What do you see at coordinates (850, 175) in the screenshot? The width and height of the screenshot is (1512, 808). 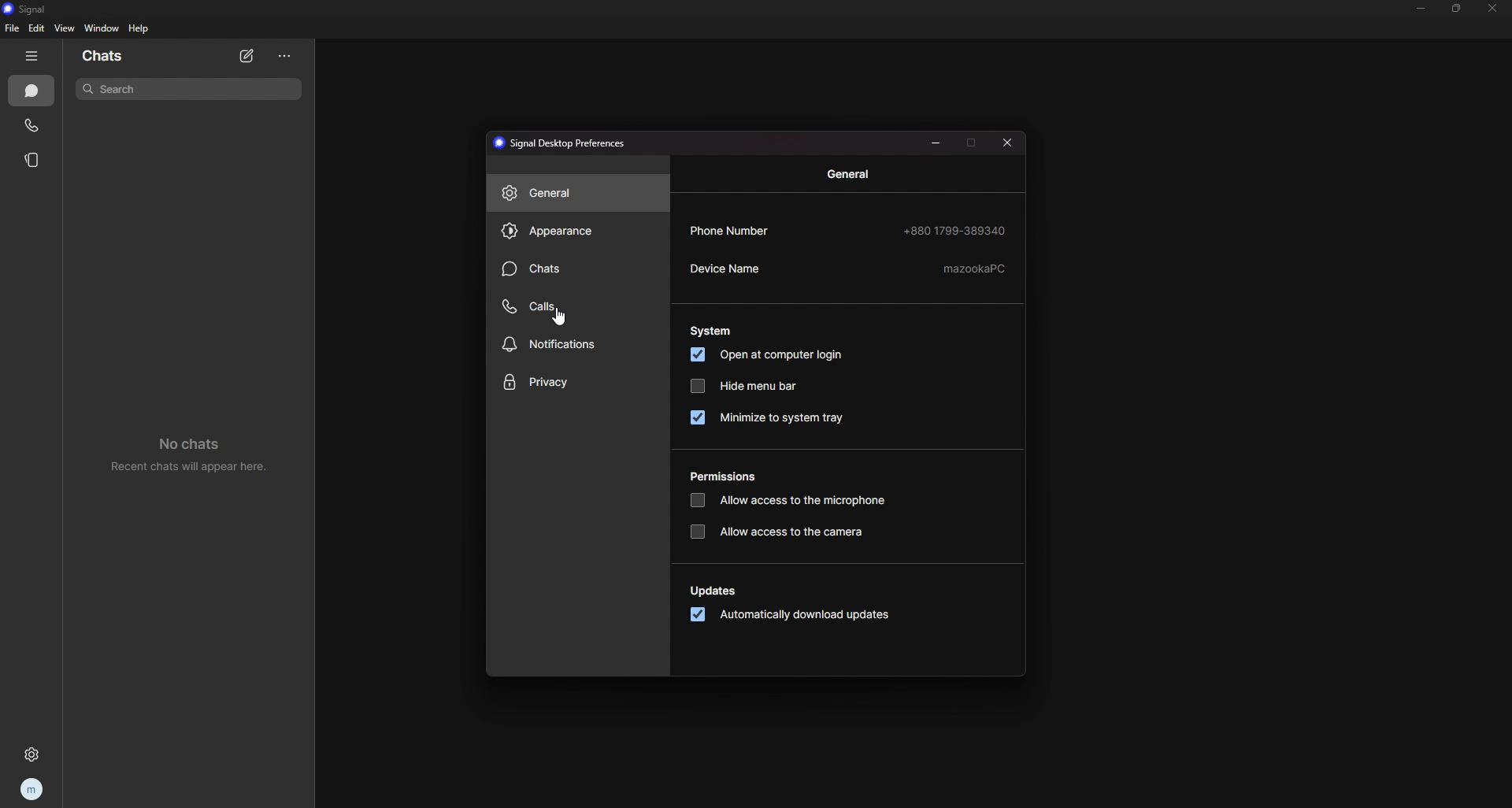 I see `general` at bounding box center [850, 175].